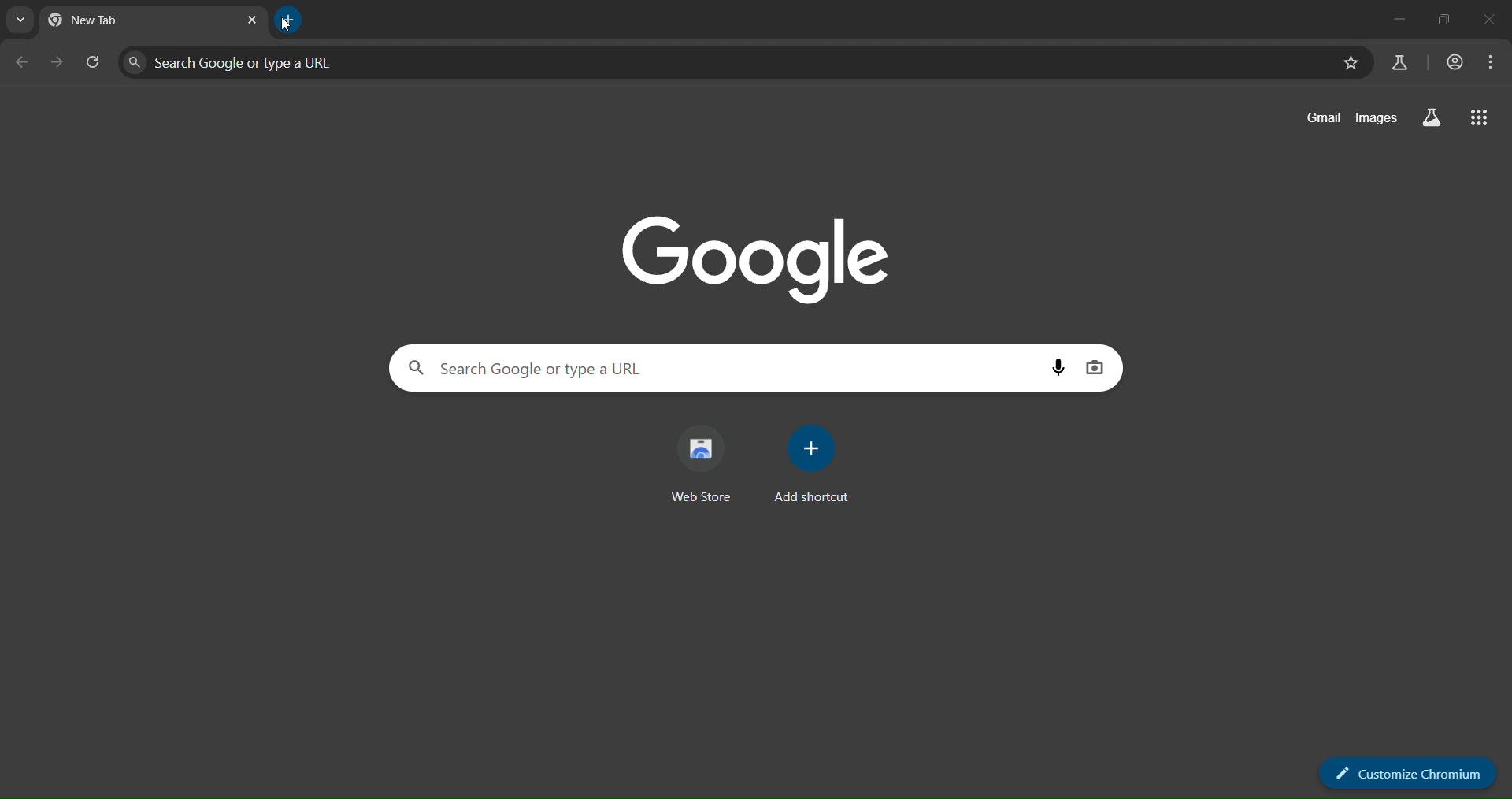 Image resolution: width=1512 pixels, height=799 pixels. Describe the element at coordinates (818, 463) in the screenshot. I see `add shortcut` at that location.